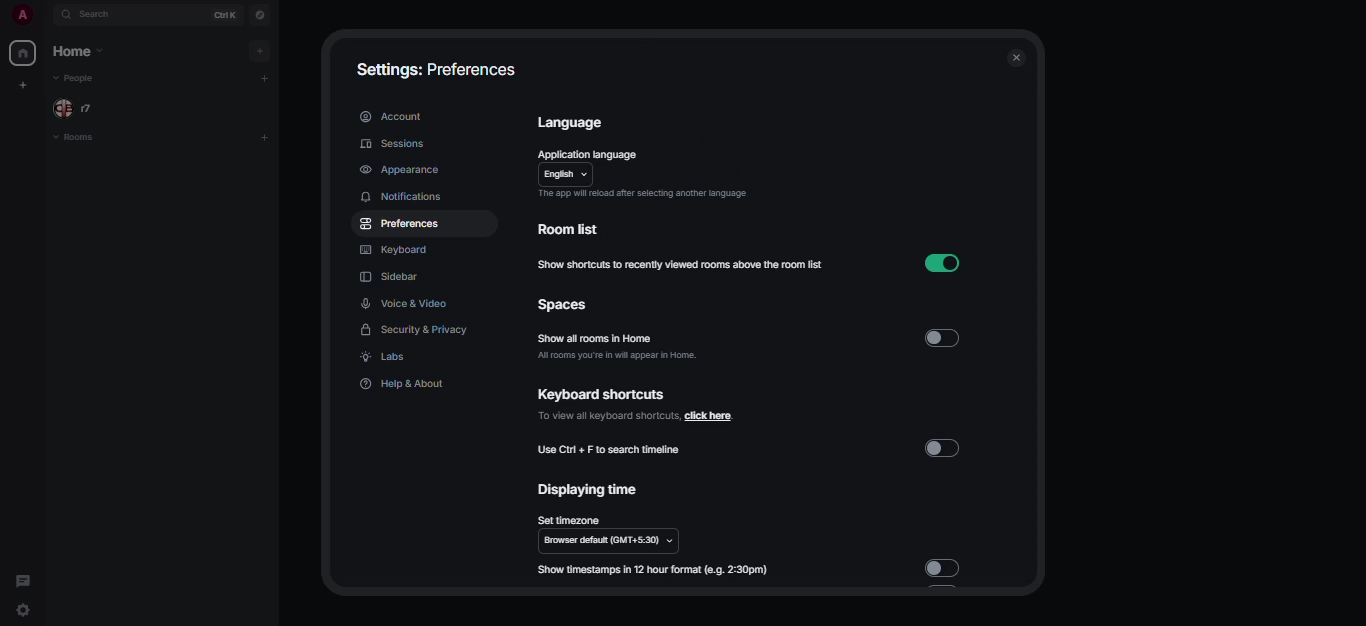 This screenshot has width=1366, height=626. Describe the element at coordinates (941, 263) in the screenshot. I see `enabled` at that location.